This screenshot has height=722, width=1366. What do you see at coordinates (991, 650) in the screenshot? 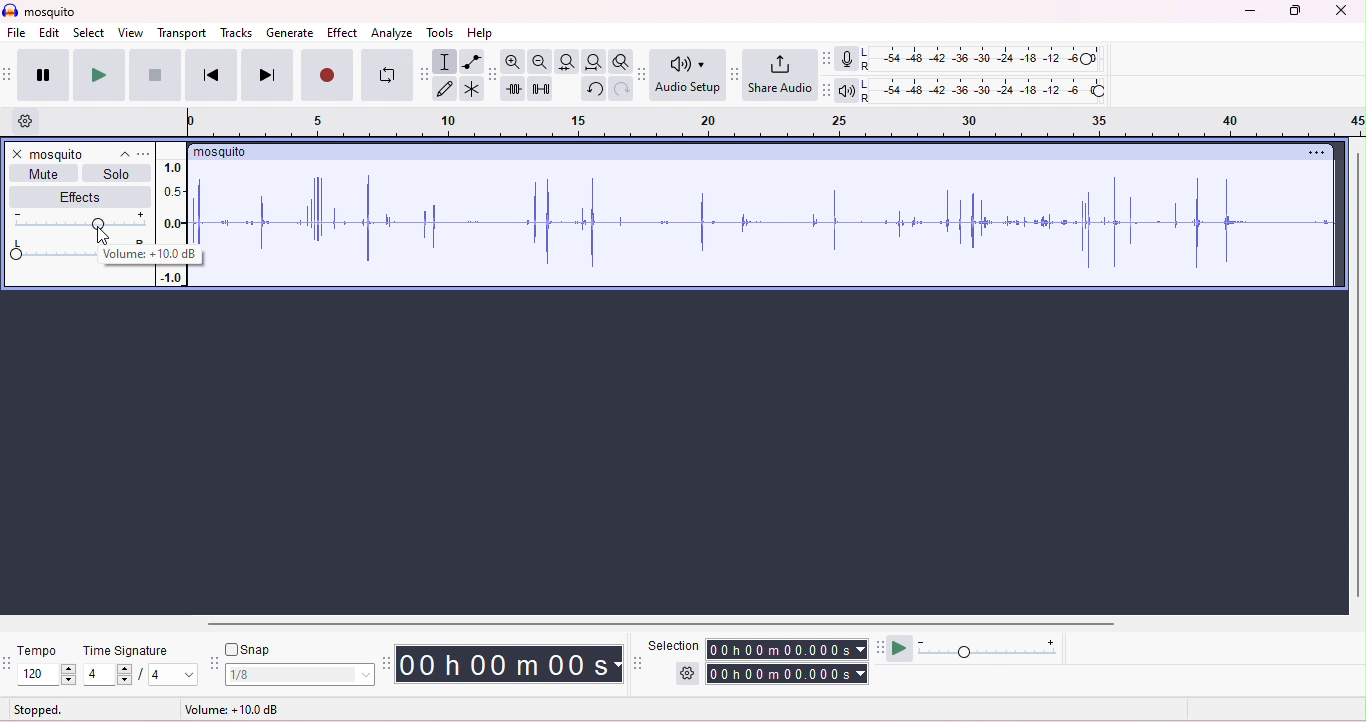
I see `playback spedd` at bounding box center [991, 650].